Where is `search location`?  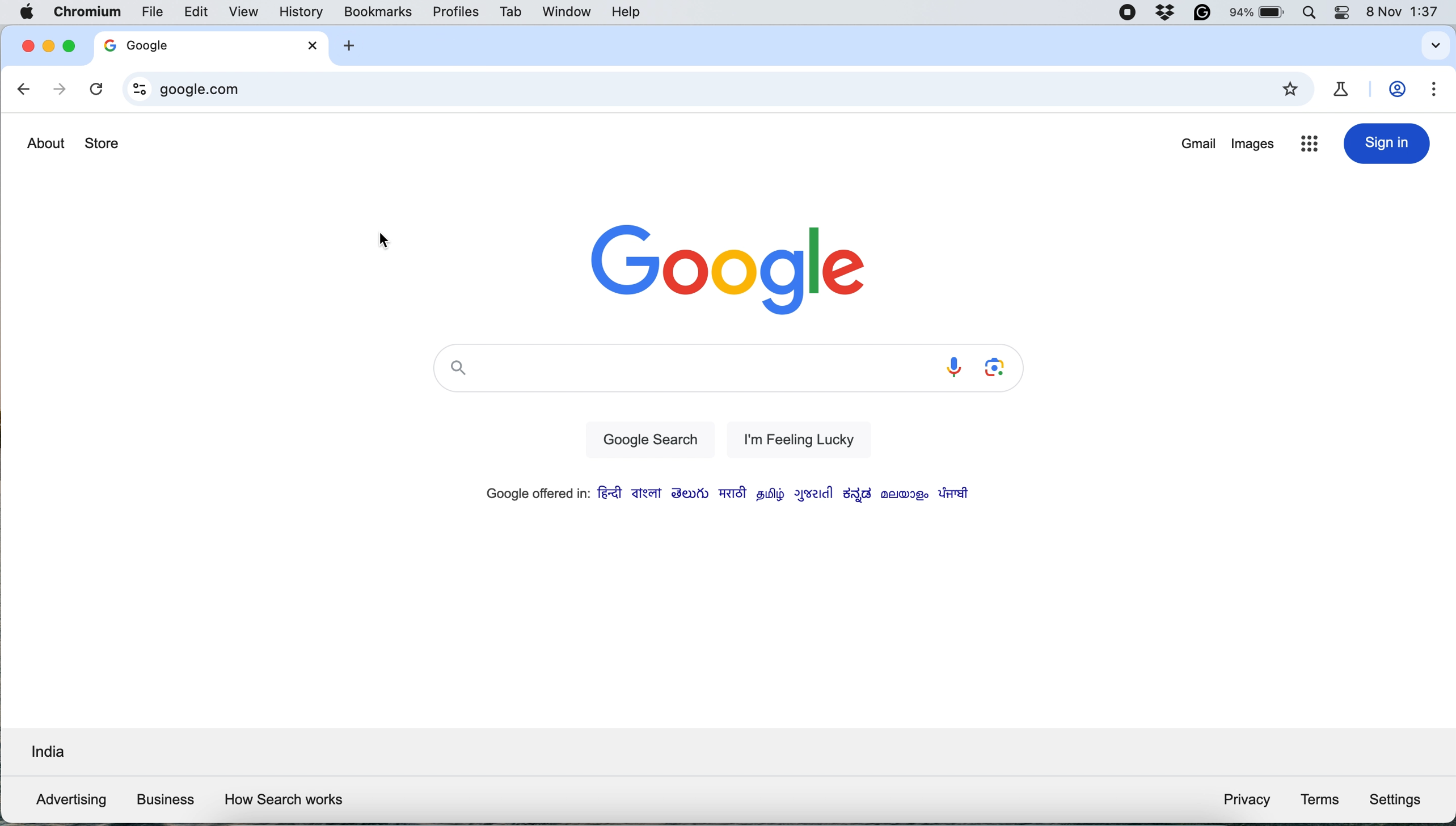
search location is located at coordinates (46, 754).